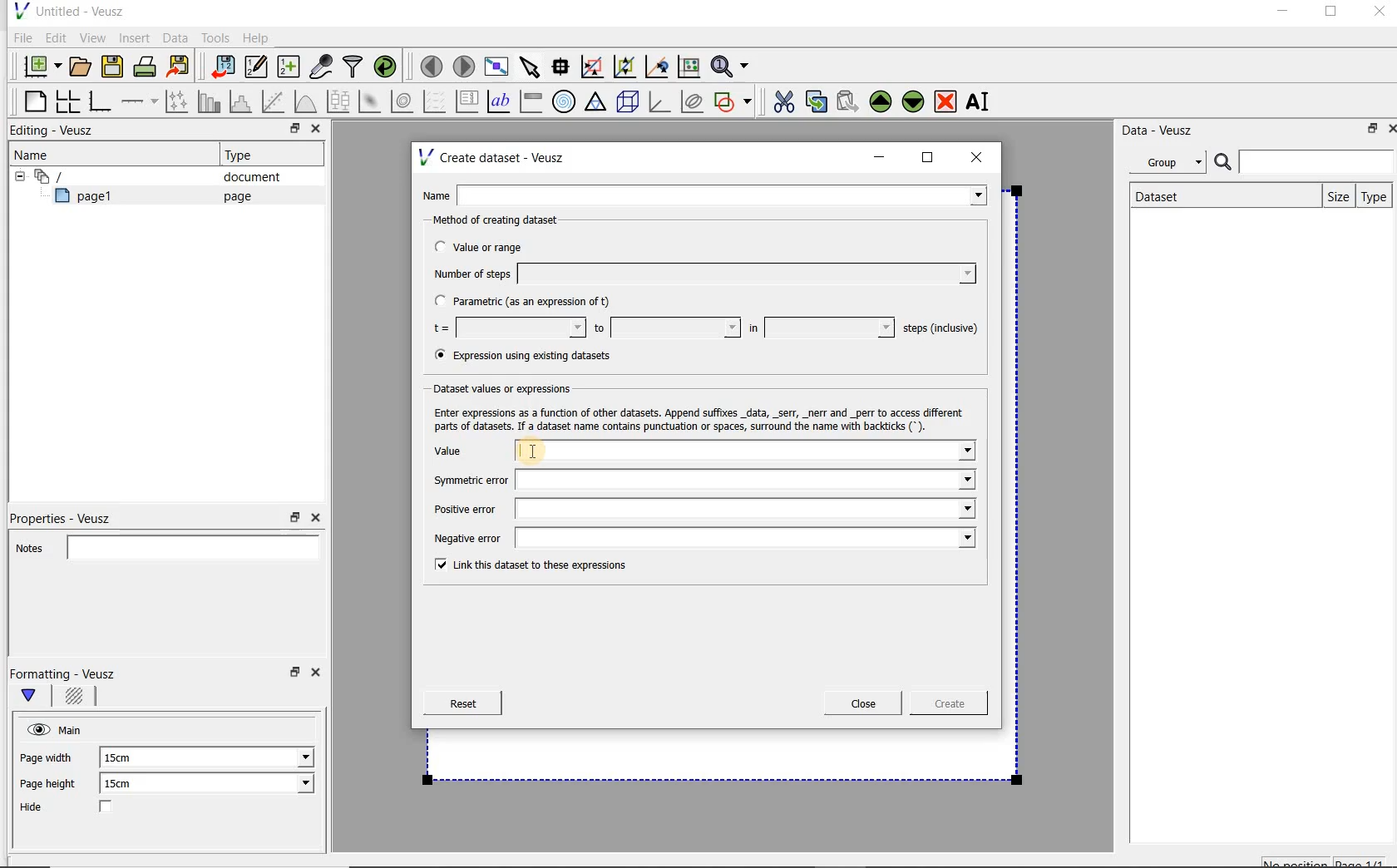 This screenshot has height=868, width=1397. What do you see at coordinates (699, 274) in the screenshot?
I see `Number of steps` at bounding box center [699, 274].